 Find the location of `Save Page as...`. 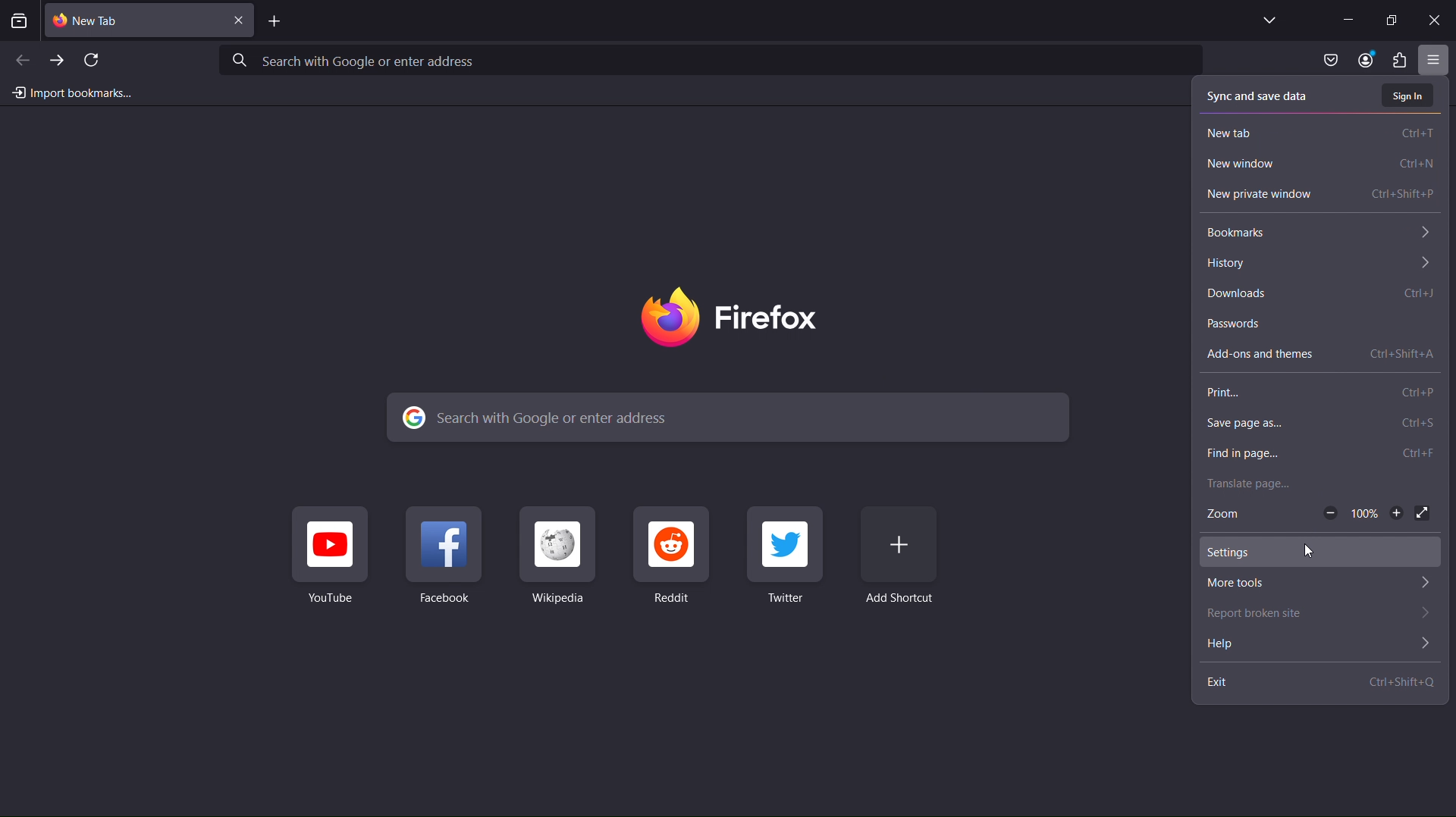

Save Page as... is located at coordinates (1323, 427).